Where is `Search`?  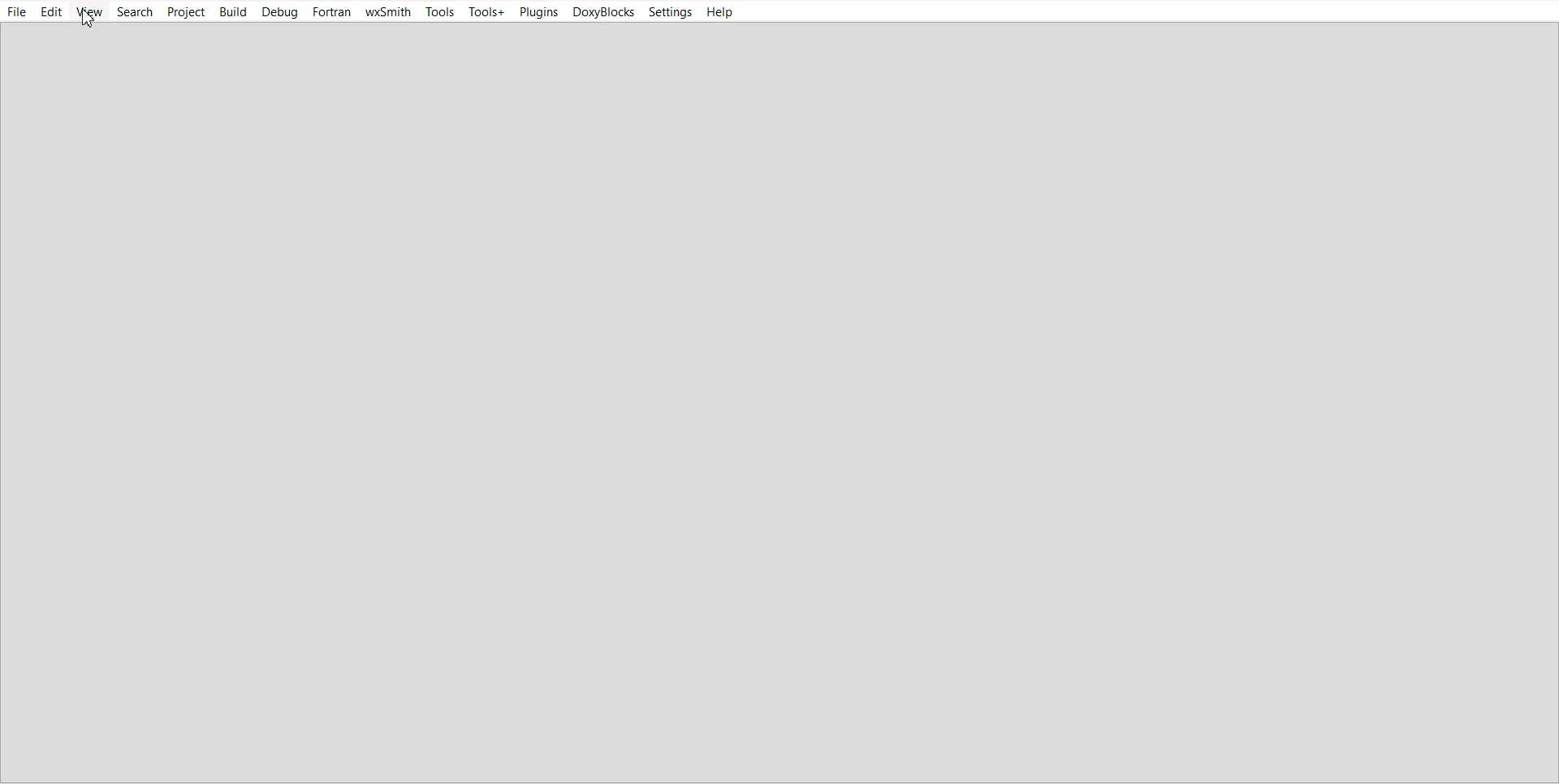
Search is located at coordinates (135, 12).